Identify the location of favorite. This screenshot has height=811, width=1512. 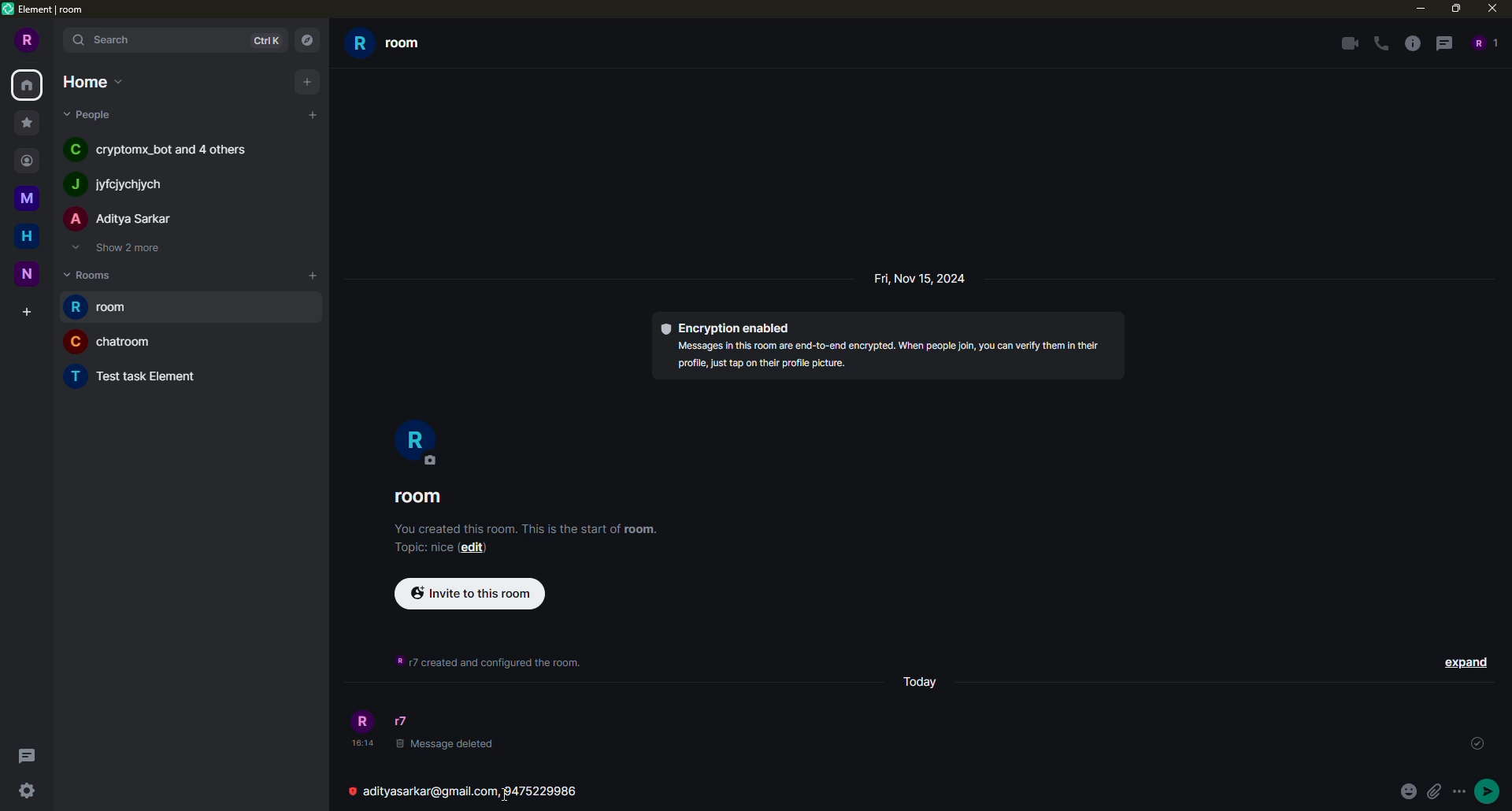
(25, 121).